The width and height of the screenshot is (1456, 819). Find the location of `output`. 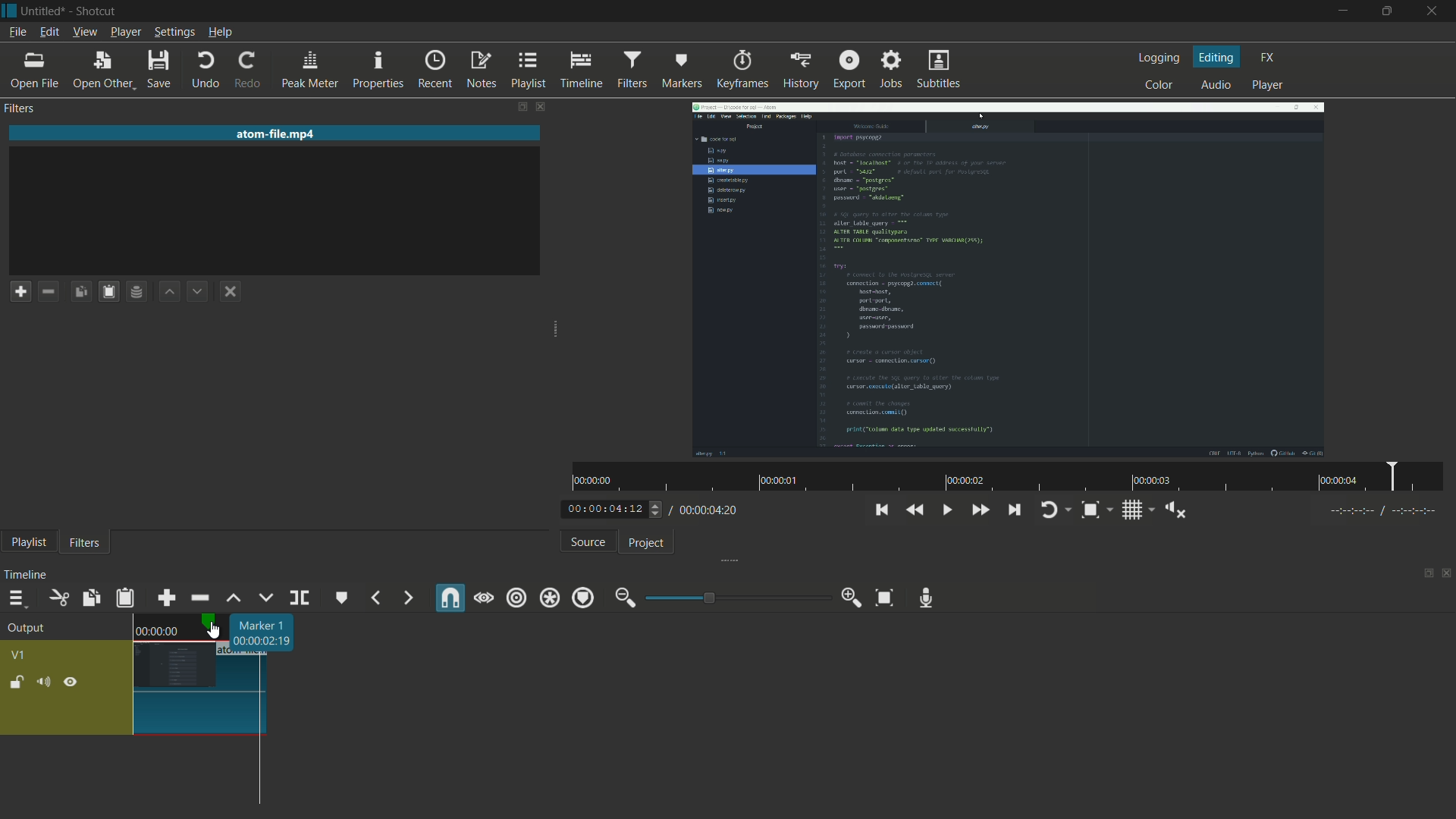

output is located at coordinates (27, 629).